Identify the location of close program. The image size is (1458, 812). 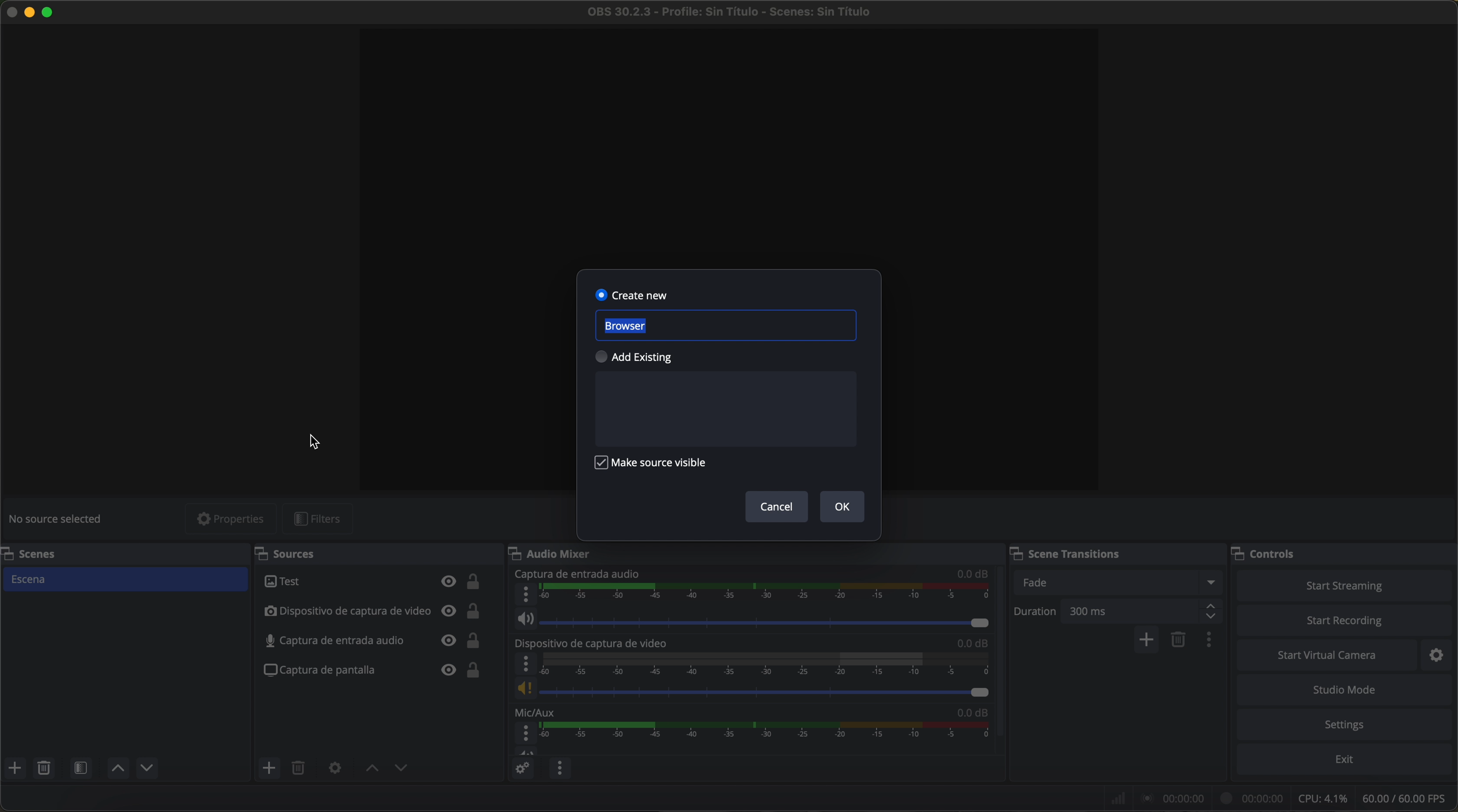
(9, 14).